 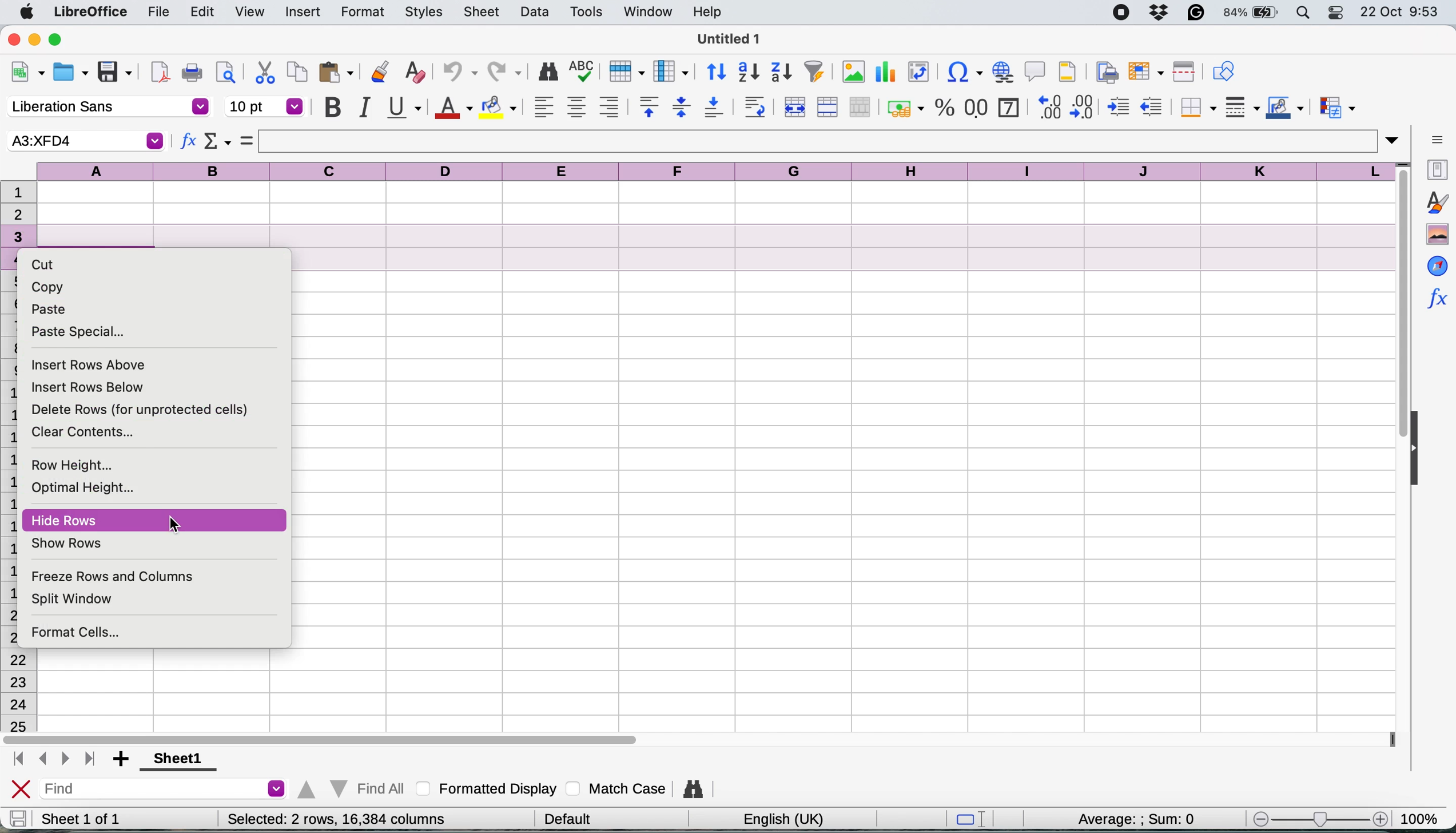 What do you see at coordinates (158, 13) in the screenshot?
I see `file` at bounding box center [158, 13].